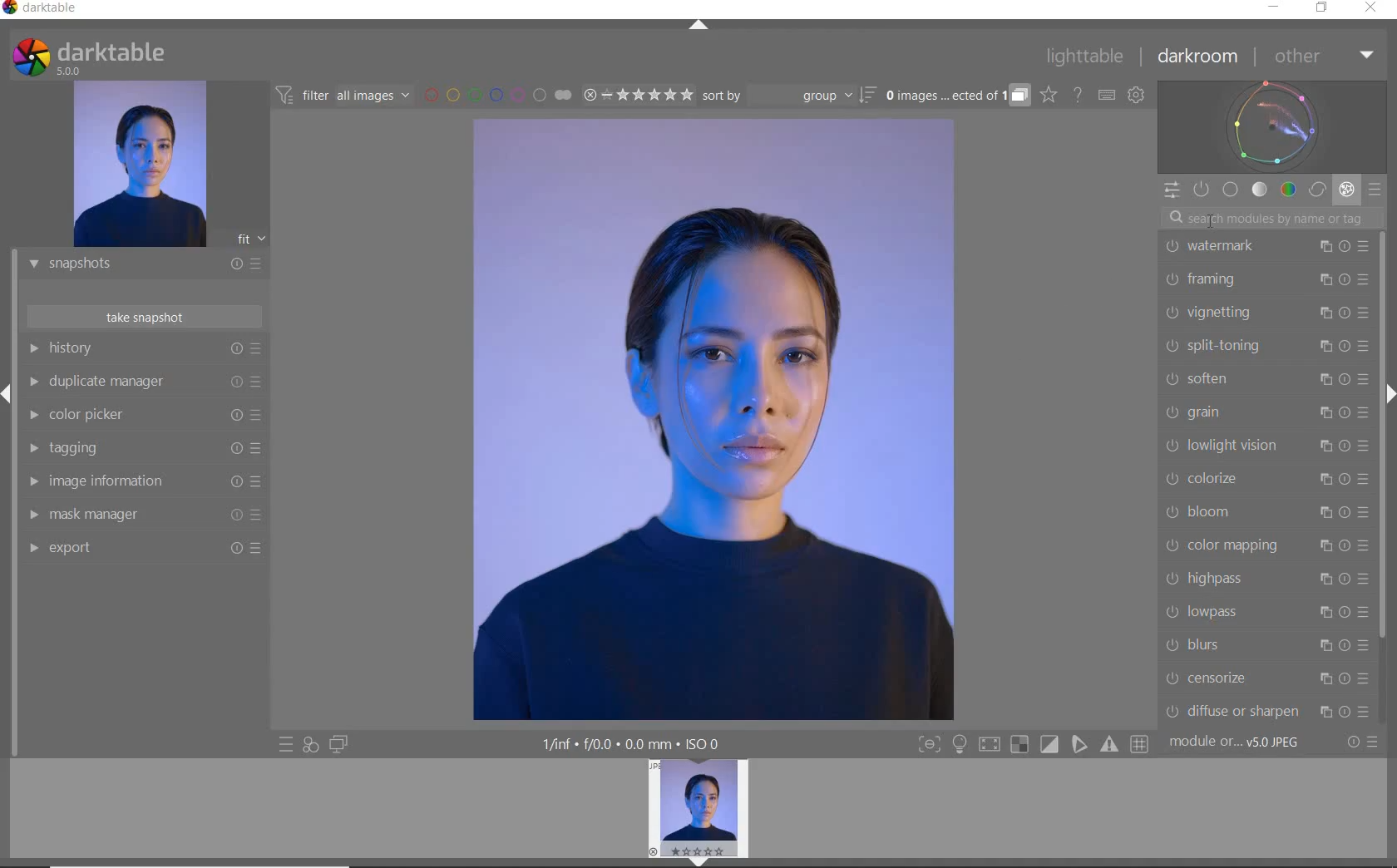 Image resolution: width=1397 pixels, height=868 pixels. I want to click on DUPLICATE MANAGER, so click(143, 382).